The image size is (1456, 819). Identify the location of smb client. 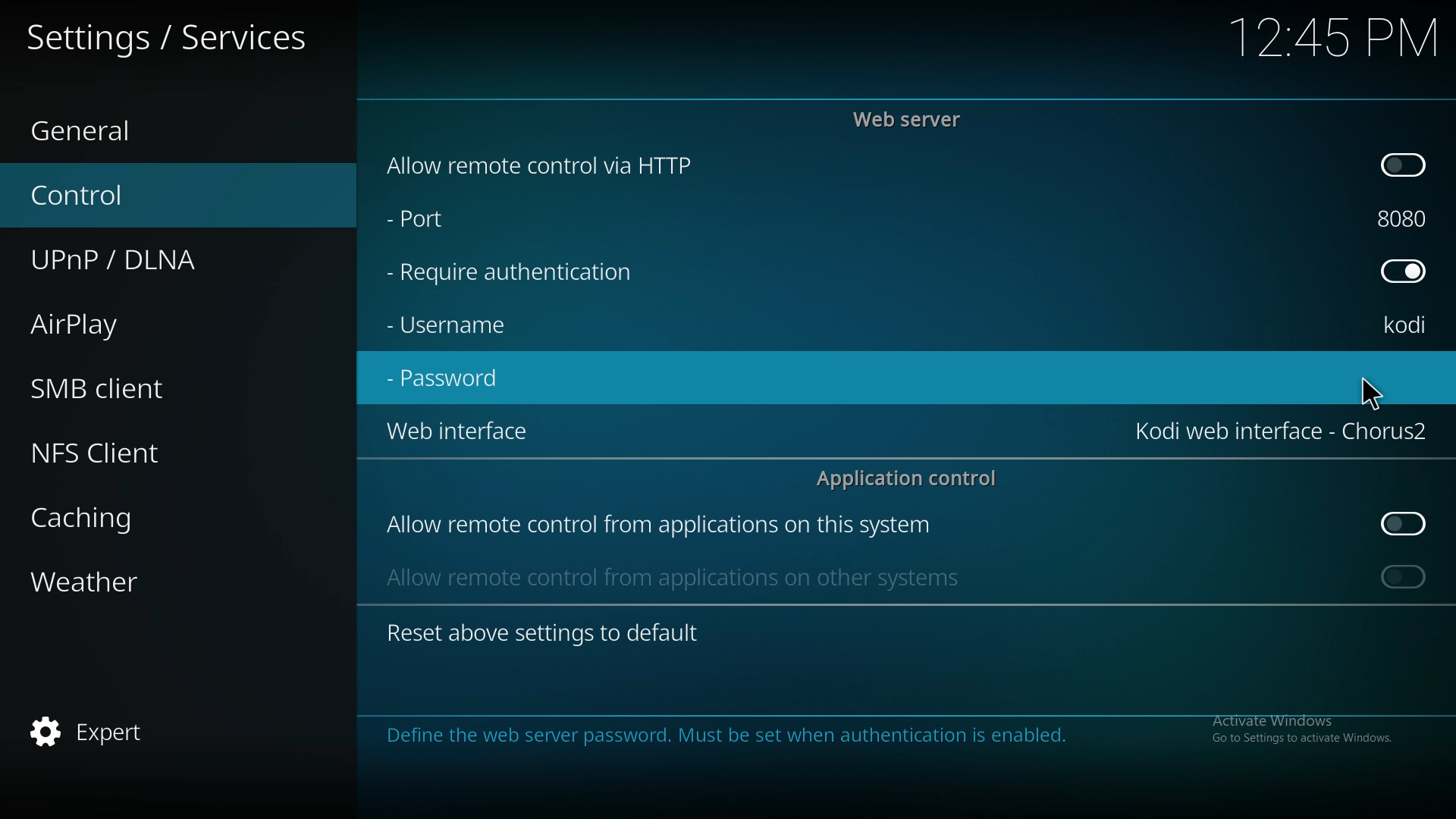
(132, 383).